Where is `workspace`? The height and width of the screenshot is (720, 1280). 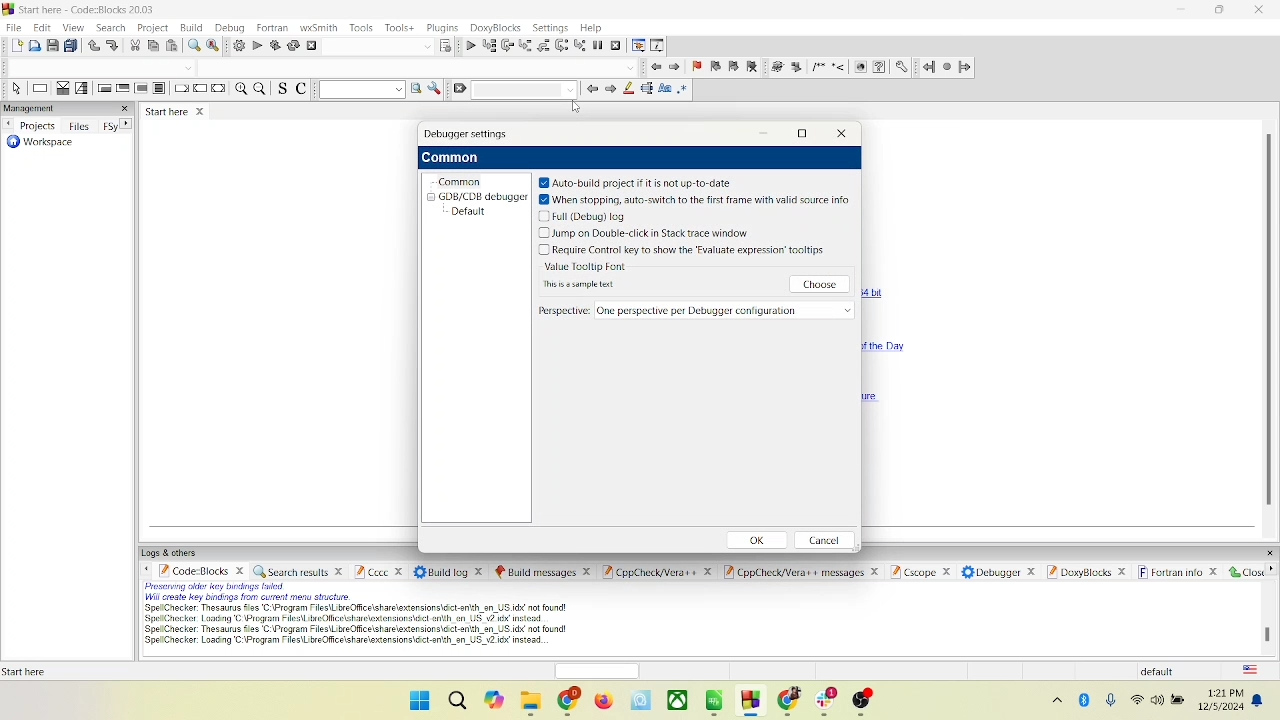 workspace is located at coordinates (39, 141).